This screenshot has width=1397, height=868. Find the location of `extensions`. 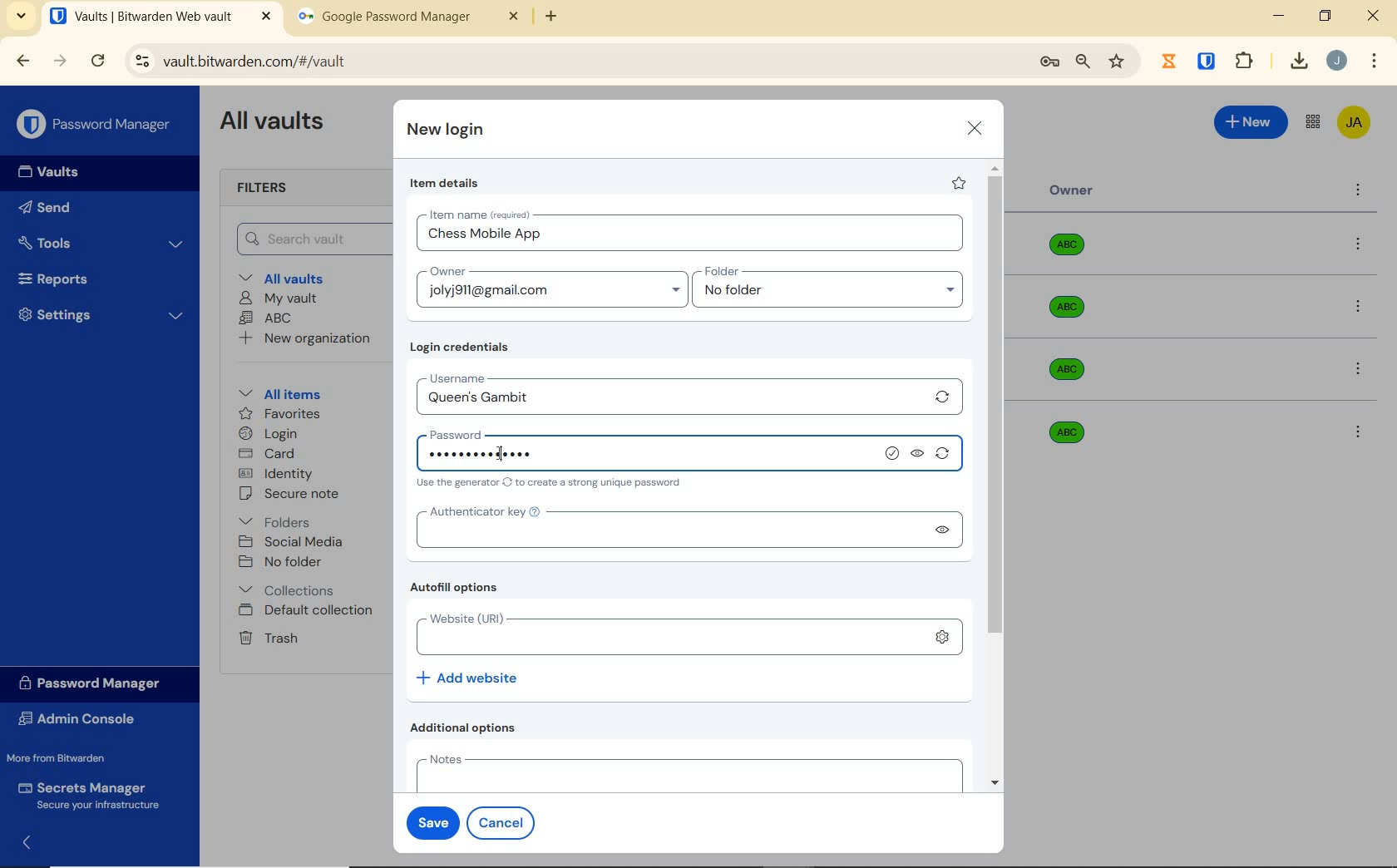

extensions is located at coordinates (1208, 60).